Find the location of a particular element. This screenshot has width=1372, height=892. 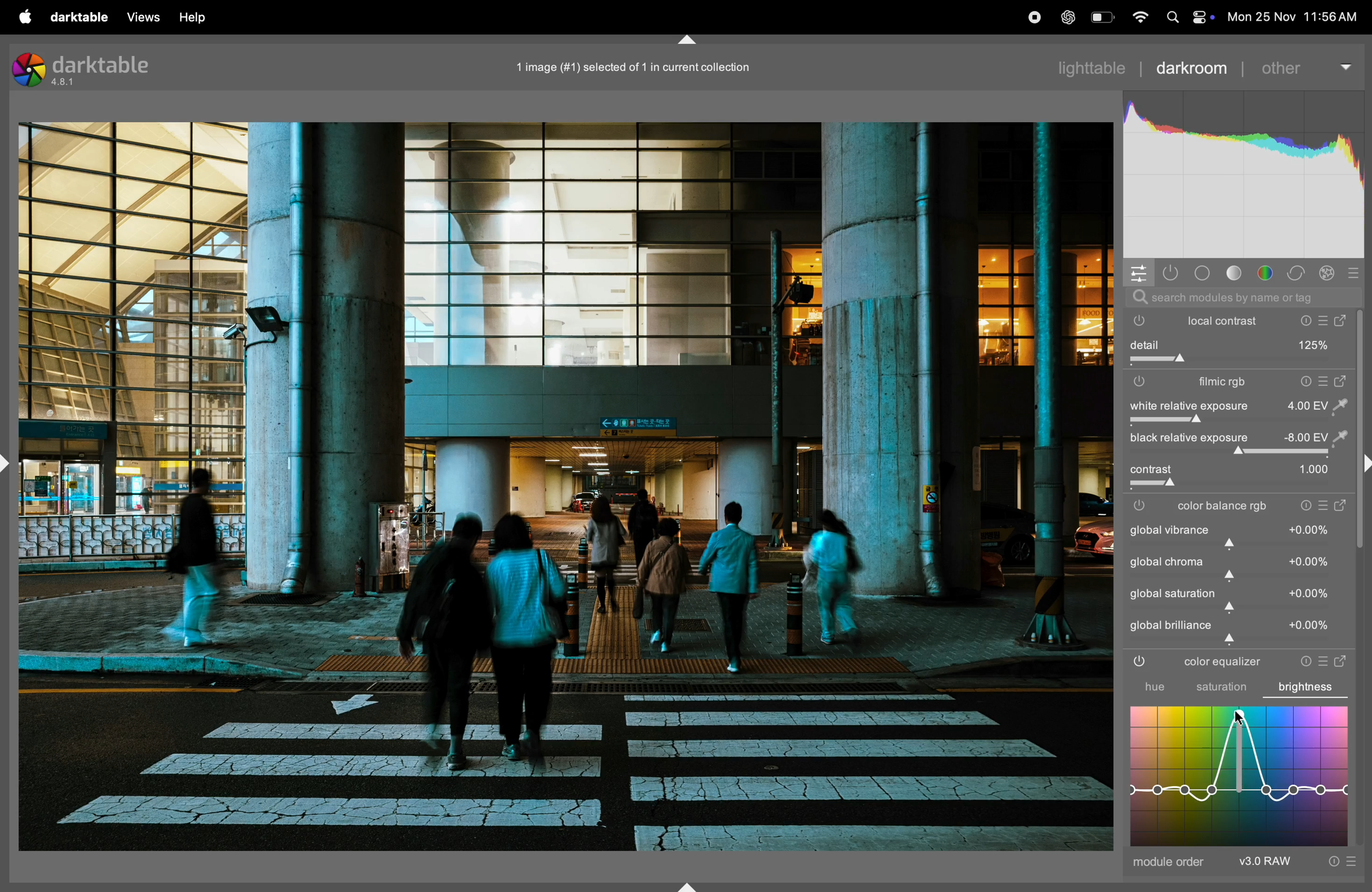

effect is located at coordinates (1327, 272).